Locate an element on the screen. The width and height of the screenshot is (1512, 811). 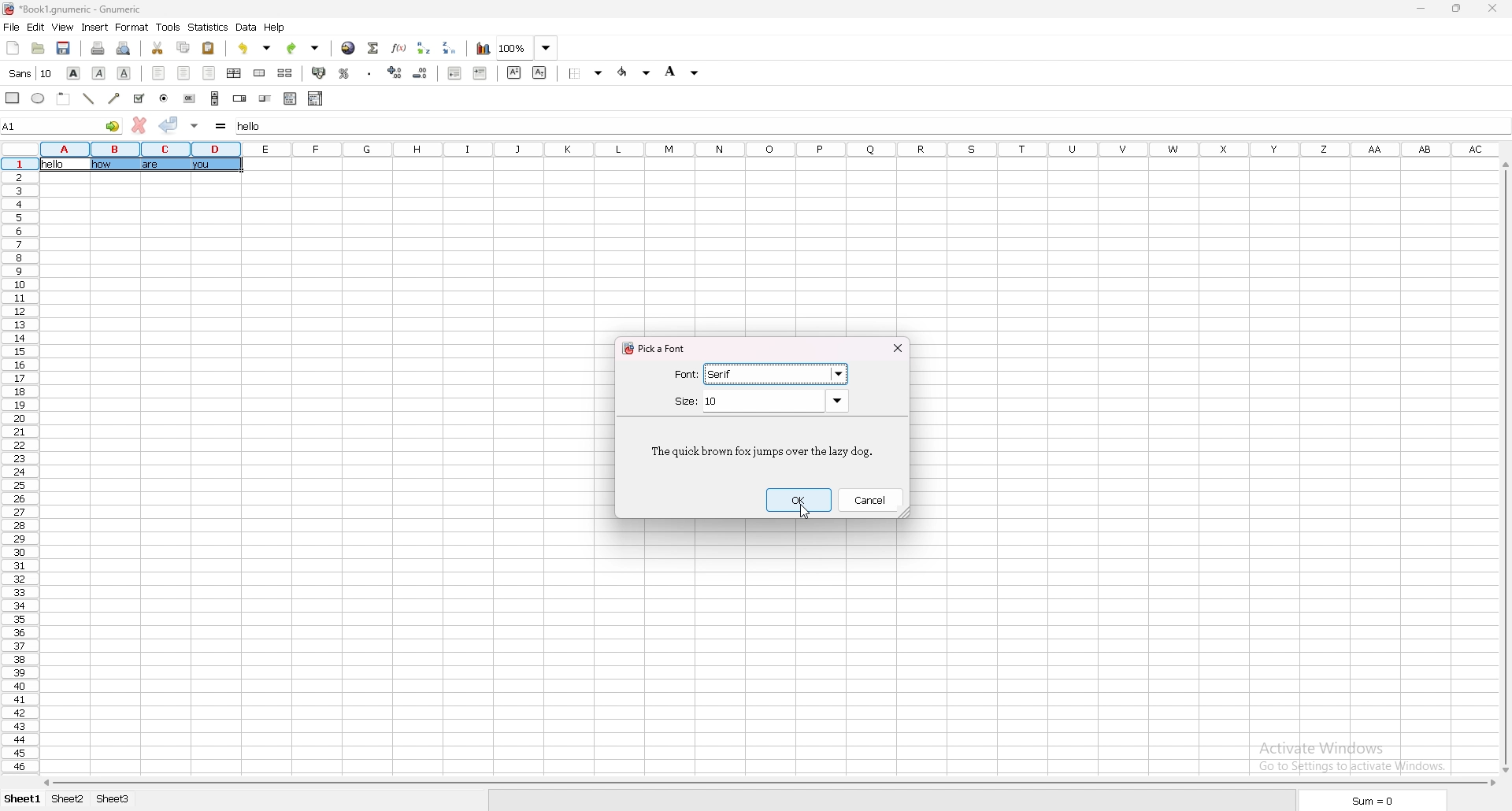
merge cells is located at coordinates (259, 73).